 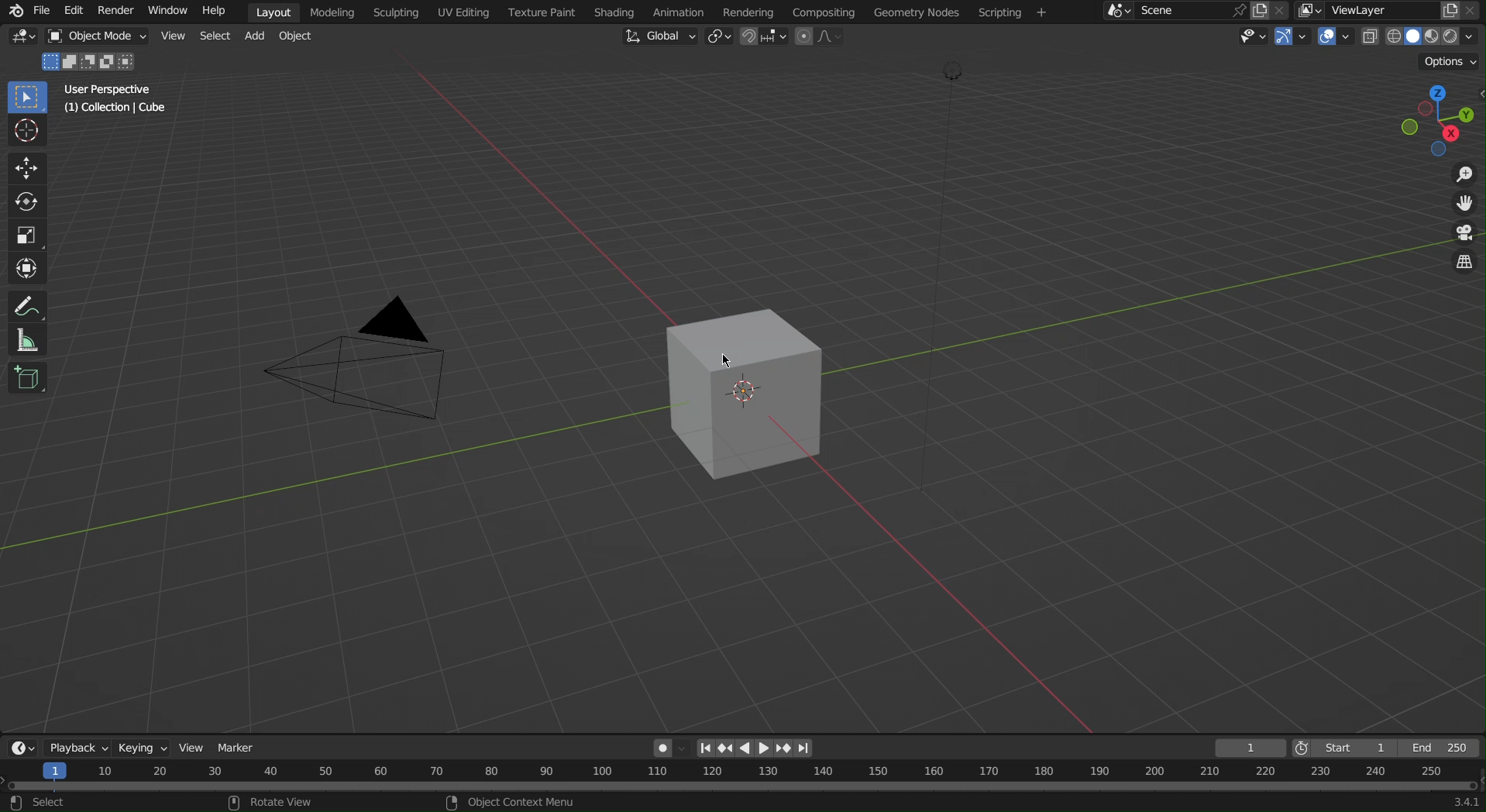 I want to click on Geometry Nodes, so click(x=915, y=12).